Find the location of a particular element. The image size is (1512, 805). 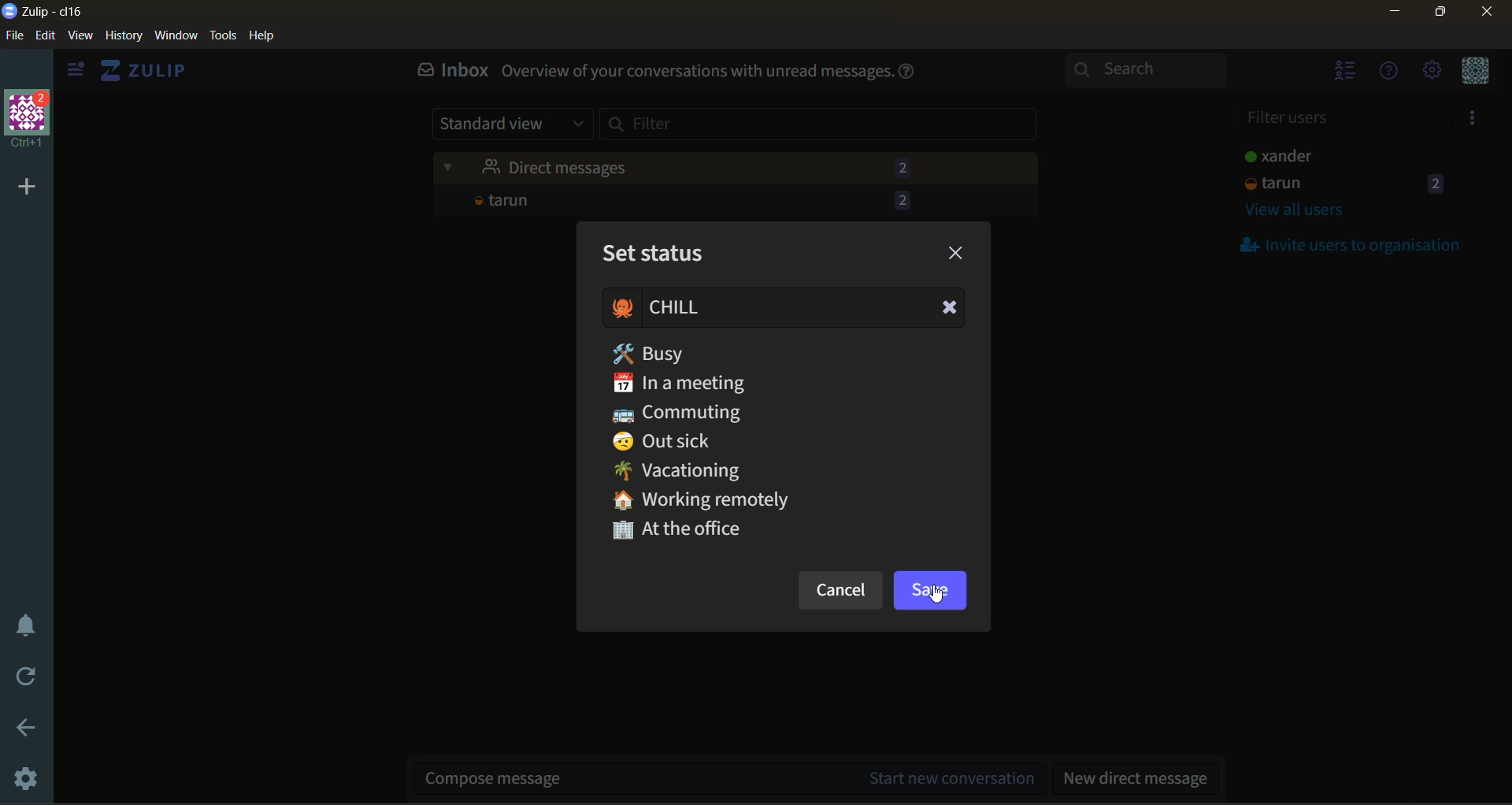

new direct message is located at coordinates (1136, 777).